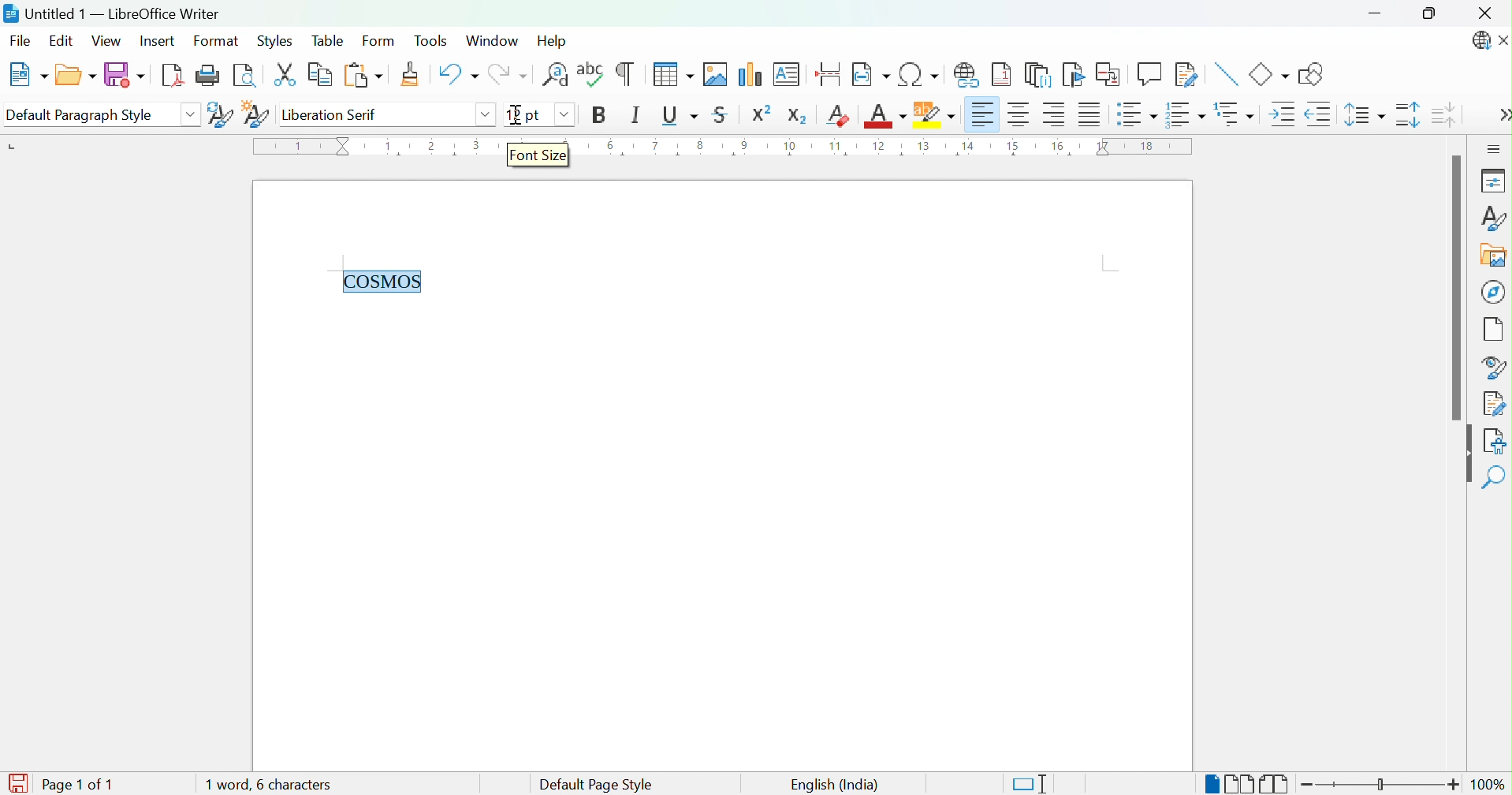 The height and width of the screenshot is (795, 1512). Describe the element at coordinates (113, 12) in the screenshot. I see `Untitled 1 - LibreOffice Writer` at that location.